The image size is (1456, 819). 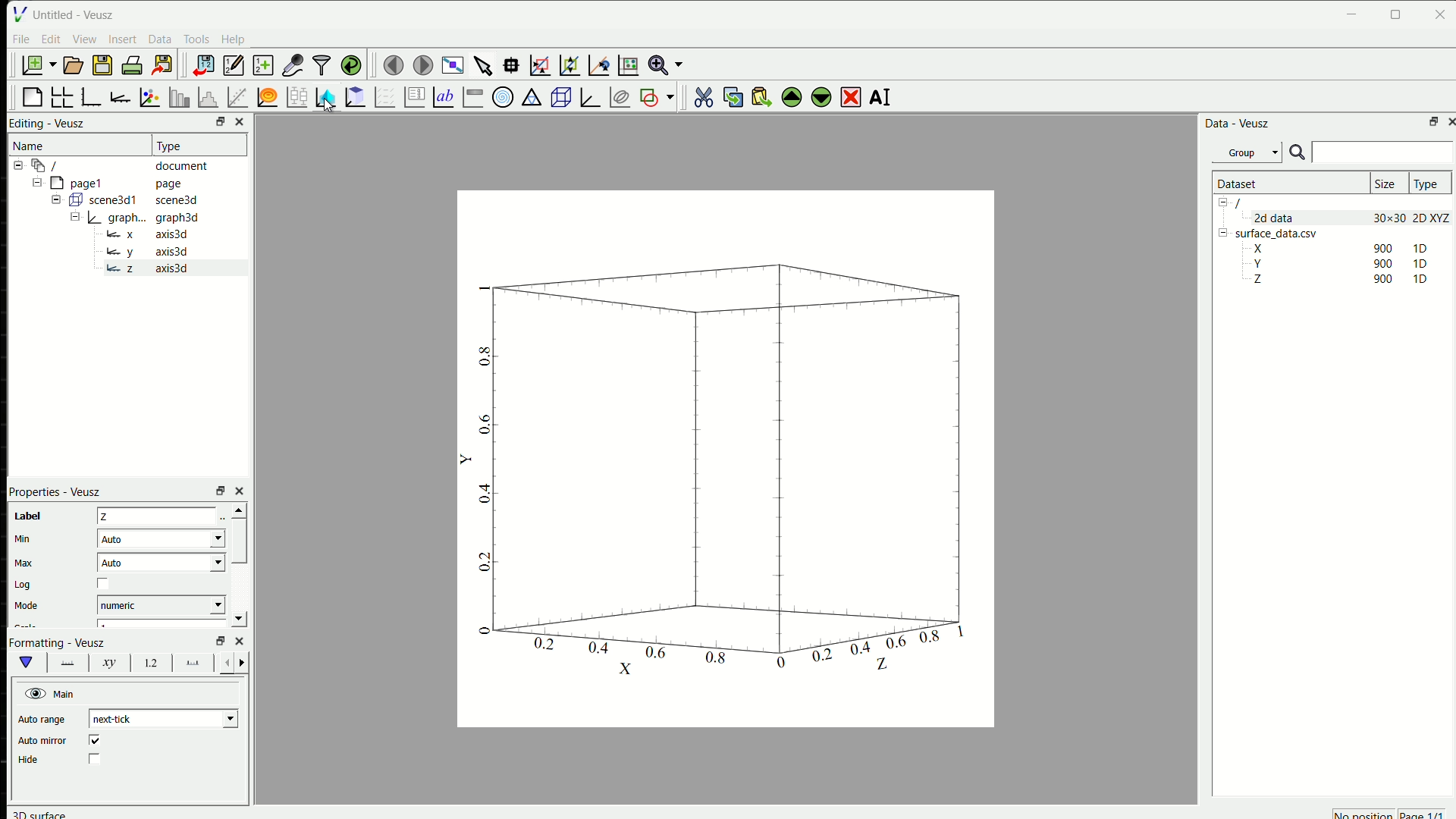 What do you see at coordinates (356, 96) in the screenshot?
I see `plot a 2D dataset as contours` at bounding box center [356, 96].